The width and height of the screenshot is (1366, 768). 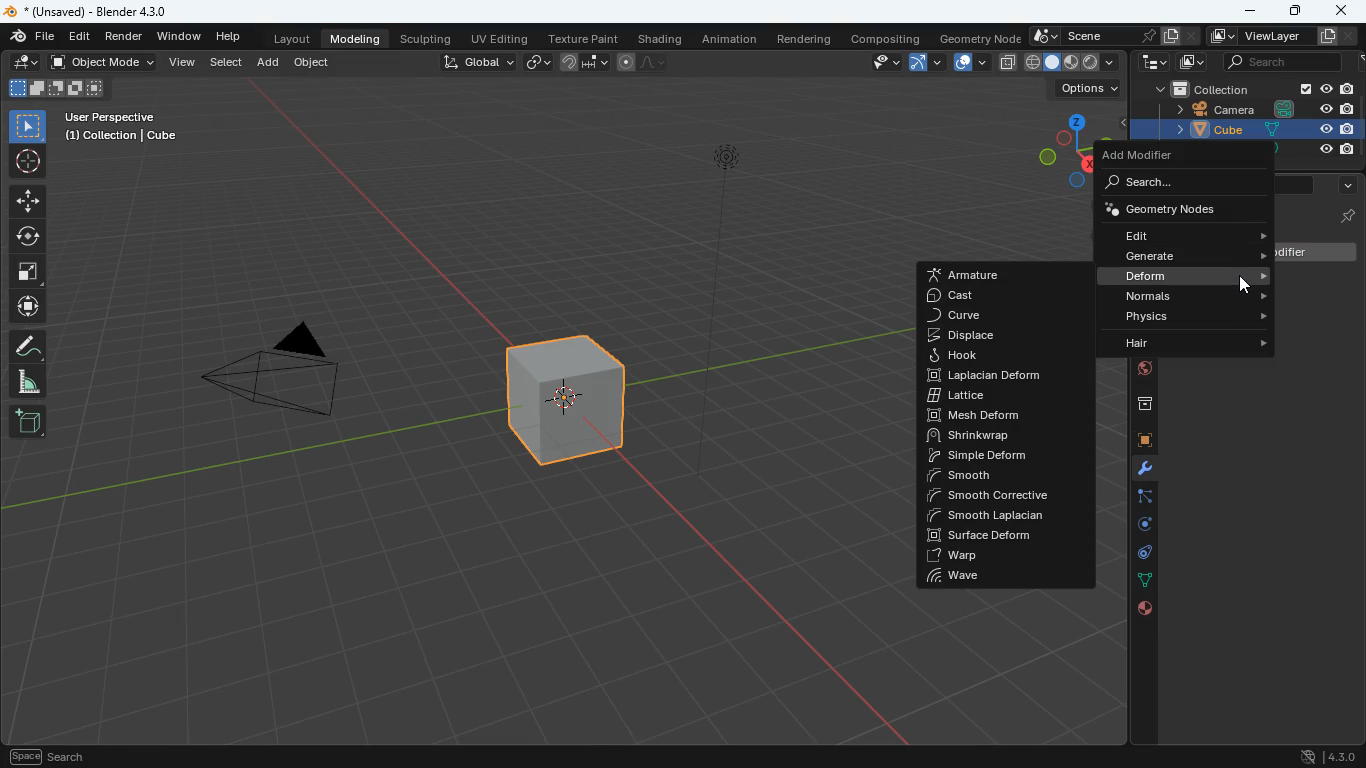 I want to click on new, so click(x=30, y=423).